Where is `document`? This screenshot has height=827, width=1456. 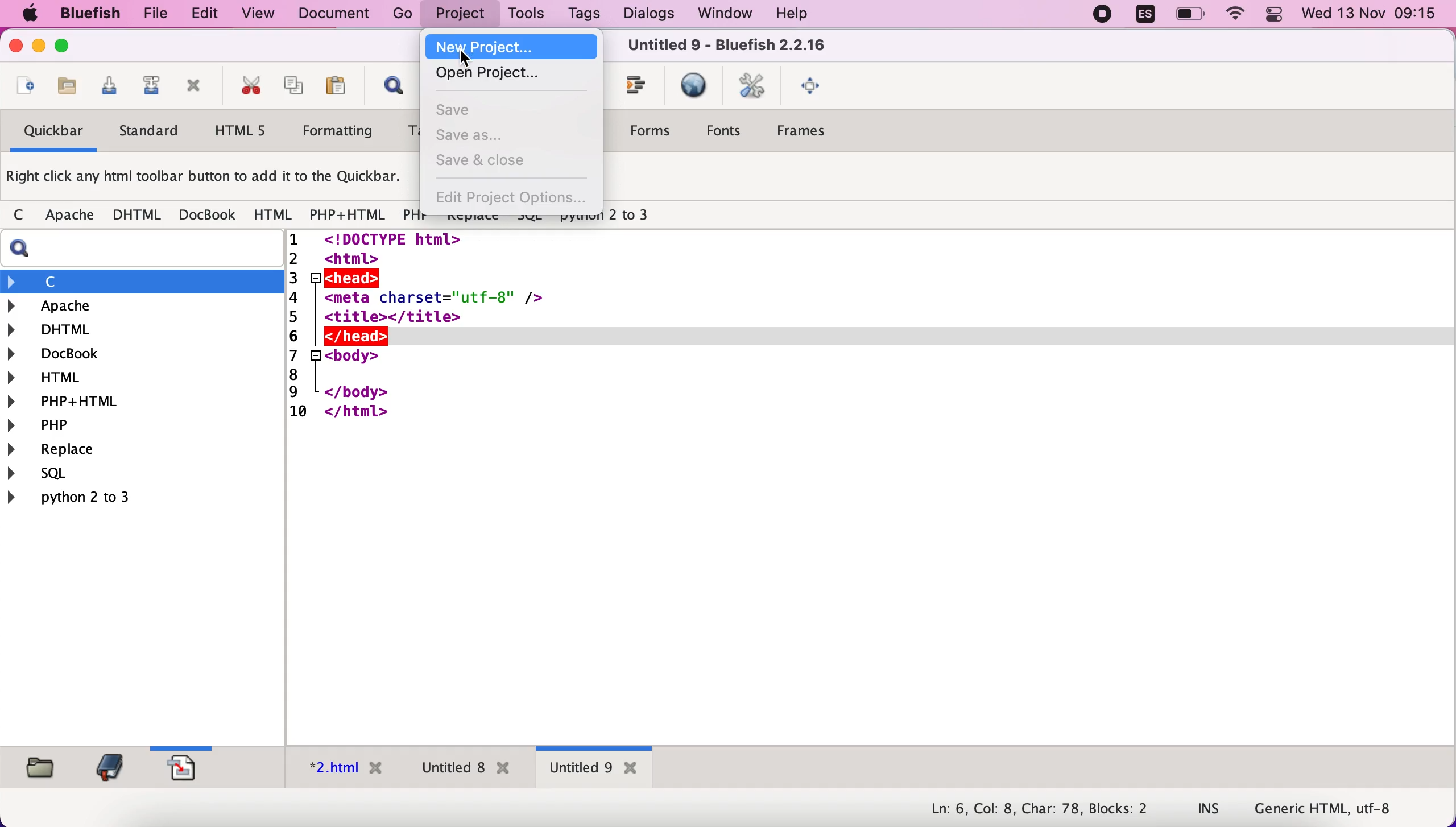
document is located at coordinates (338, 14).